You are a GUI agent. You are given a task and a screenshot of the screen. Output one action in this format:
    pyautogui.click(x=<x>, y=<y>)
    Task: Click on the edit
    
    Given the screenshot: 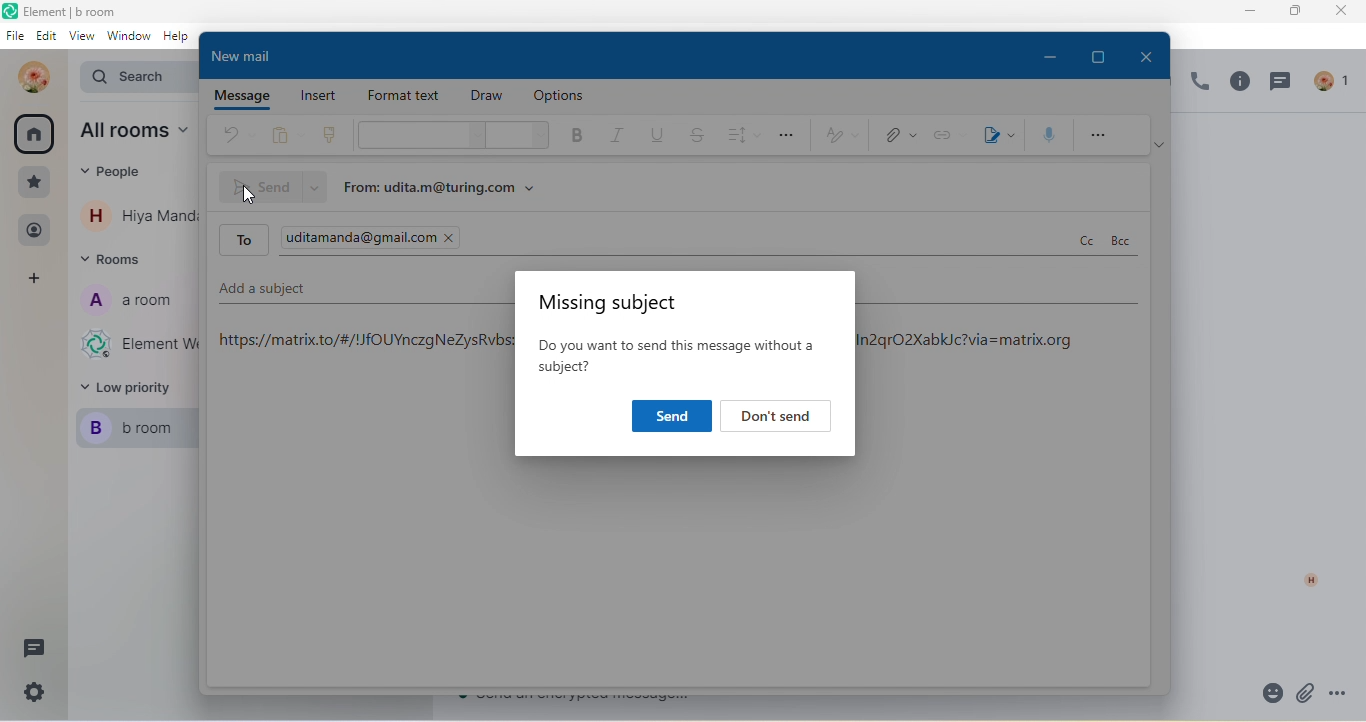 What is the action you would take?
    pyautogui.click(x=47, y=38)
    